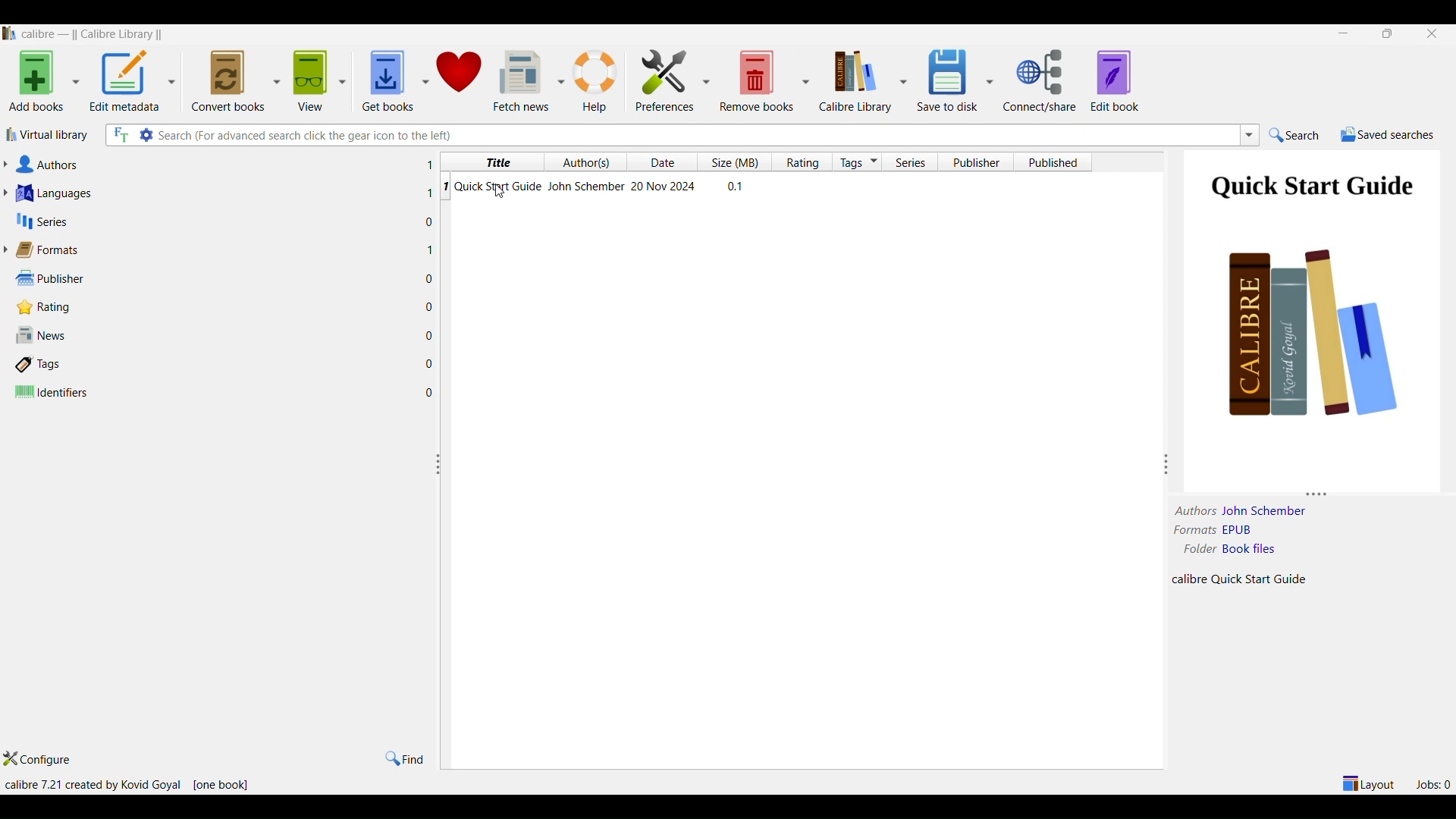 This screenshot has width=1456, height=819. Describe the element at coordinates (93, 785) in the screenshot. I see `calibre 7.21 created by Kovid Goyal` at that location.